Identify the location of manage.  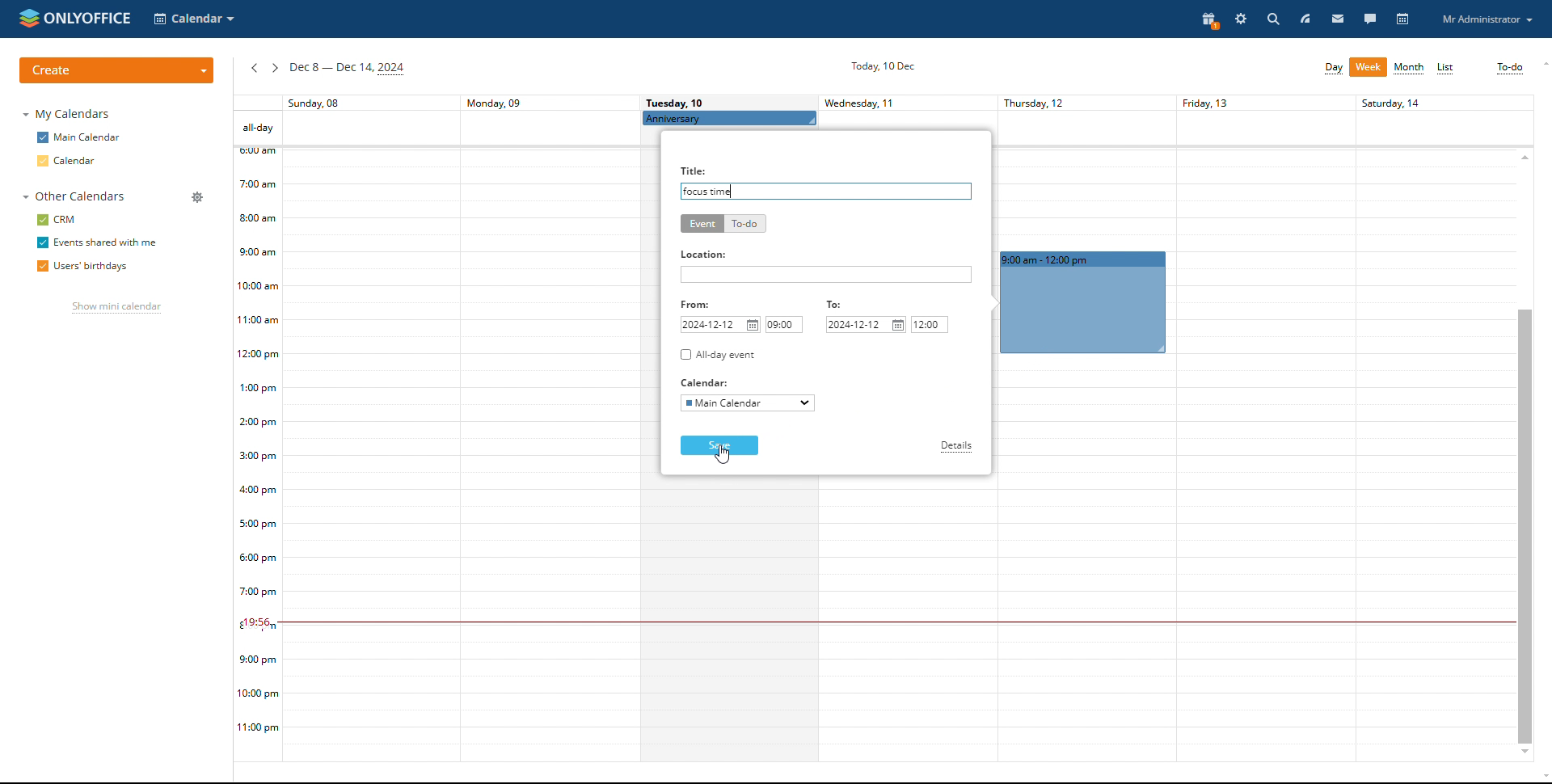
(198, 197).